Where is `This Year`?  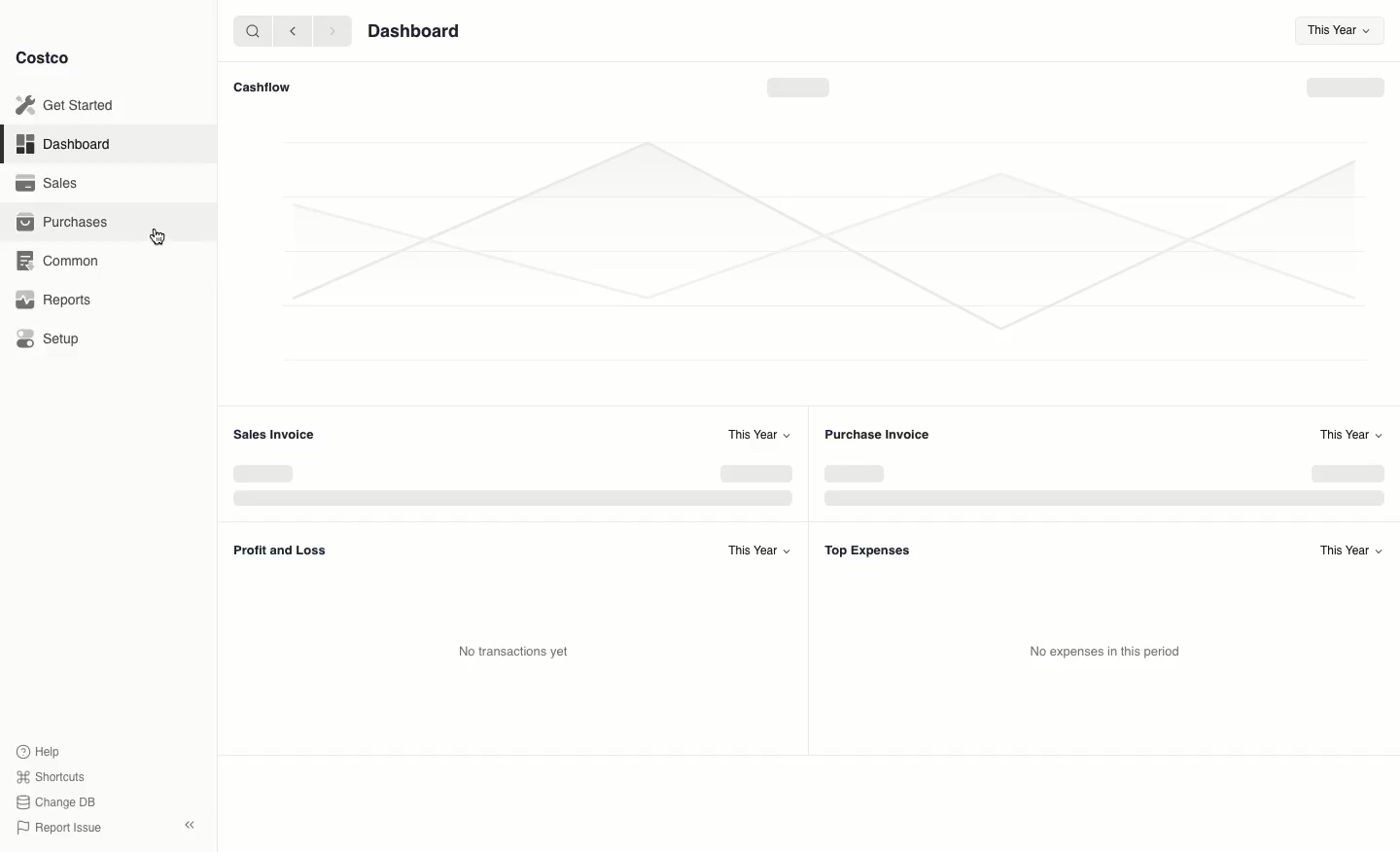
This Year is located at coordinates (757, 550).